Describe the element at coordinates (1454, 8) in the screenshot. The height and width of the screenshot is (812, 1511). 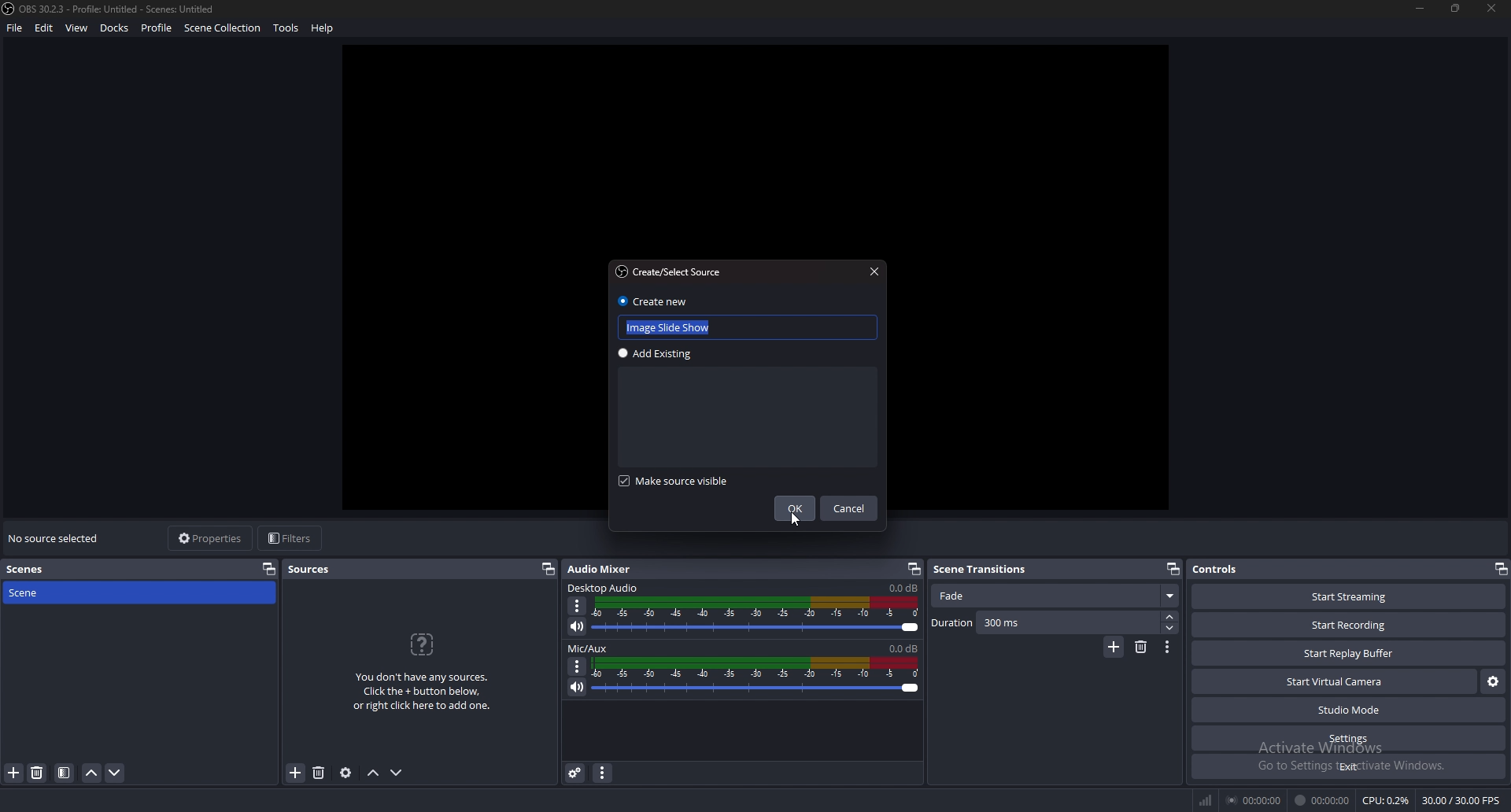
I see `resize` at that location.